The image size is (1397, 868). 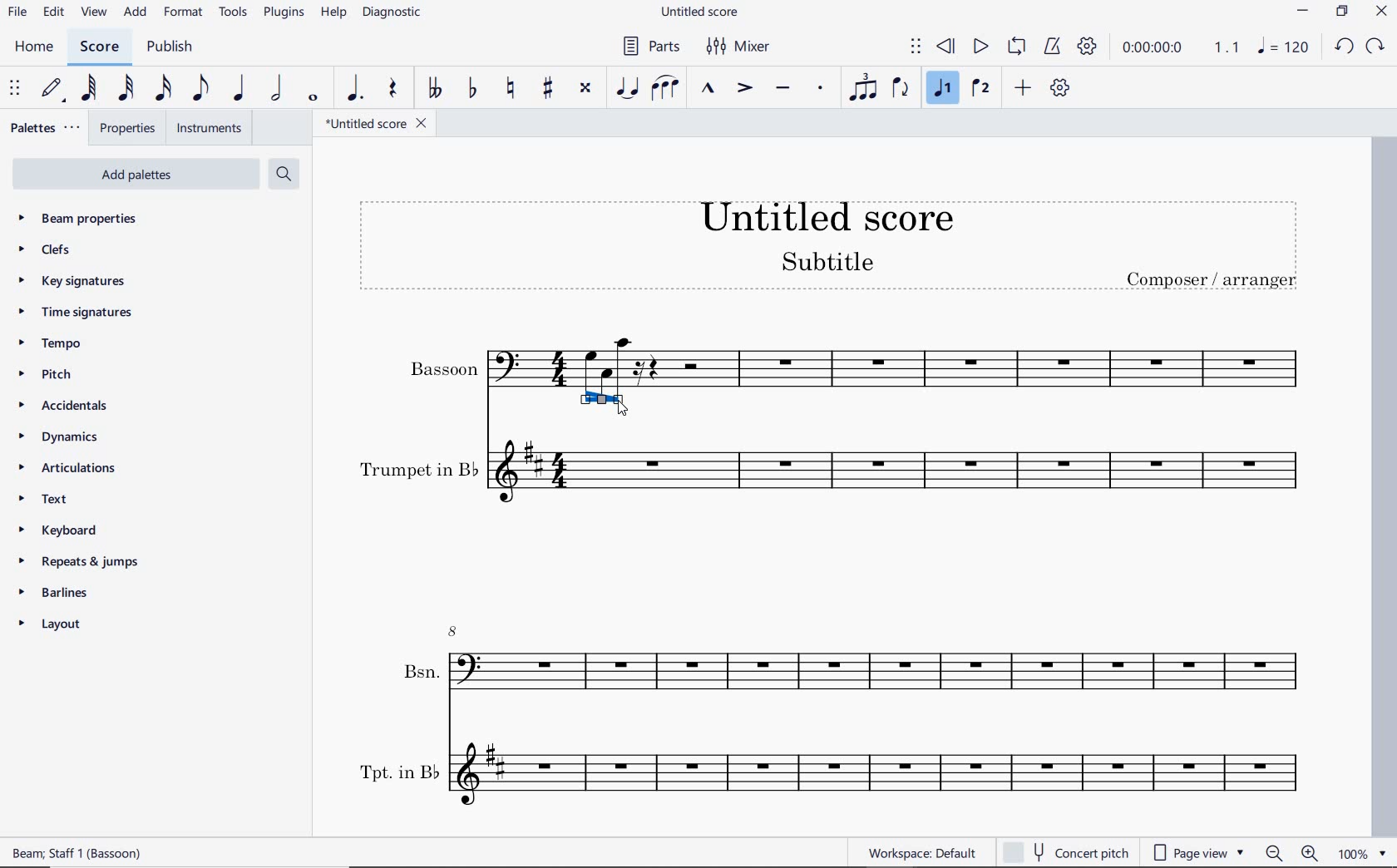 I want to click on UNDO, so click(x=1345, y=47).